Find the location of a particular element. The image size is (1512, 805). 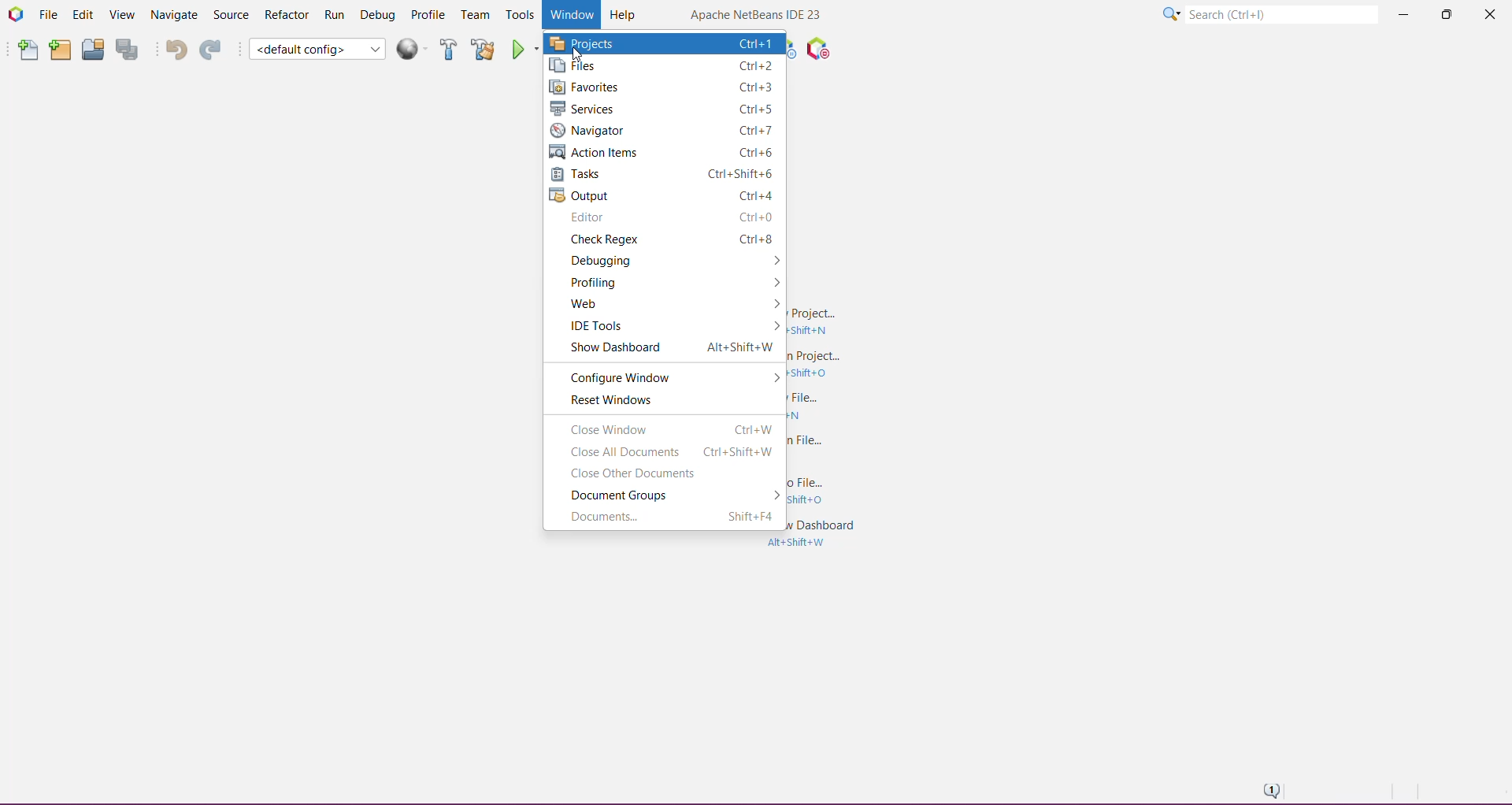

View is located at coordinates (120, 16).